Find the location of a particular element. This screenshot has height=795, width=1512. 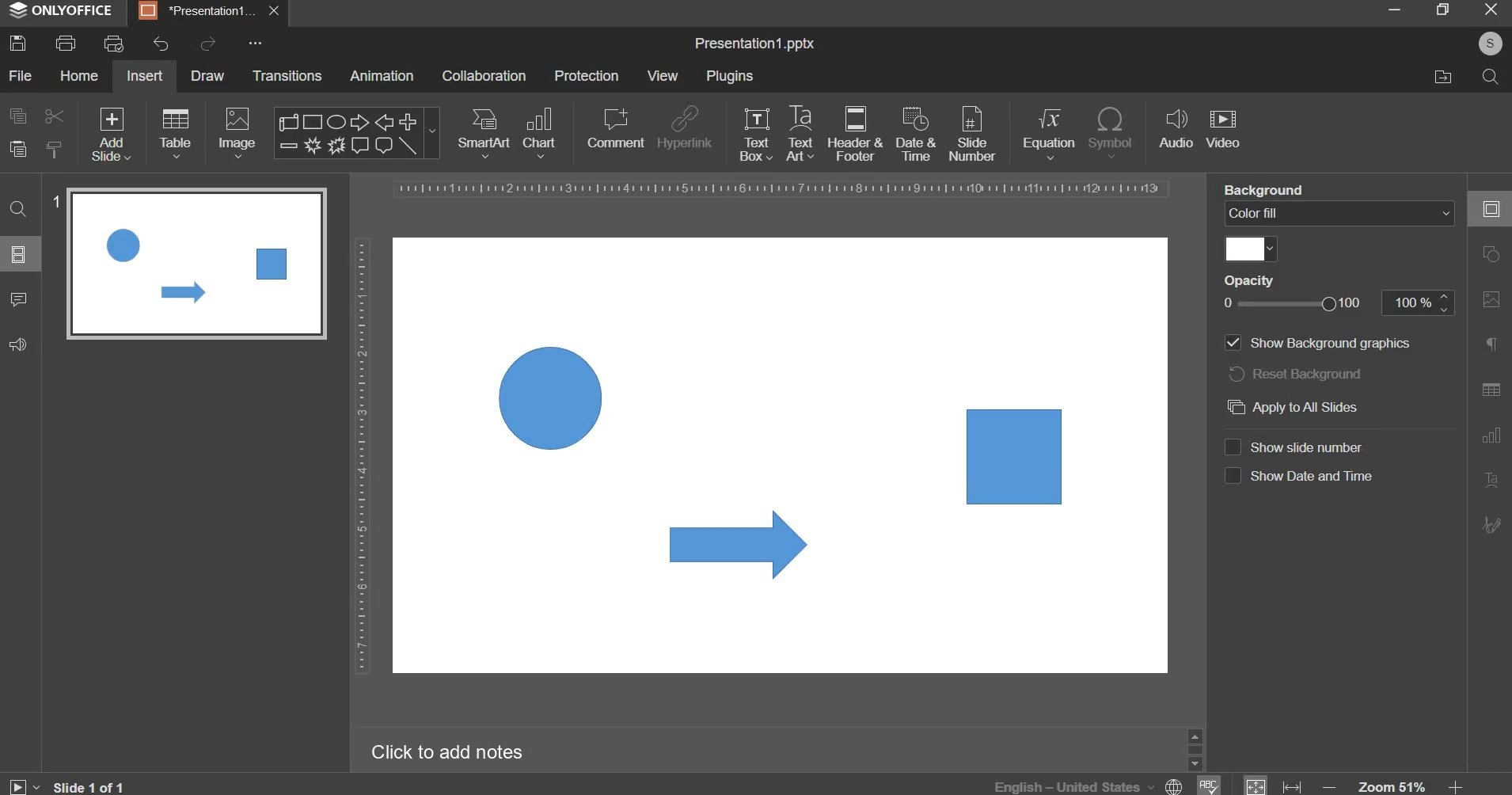

check box is located at coordinates (1232, 446).